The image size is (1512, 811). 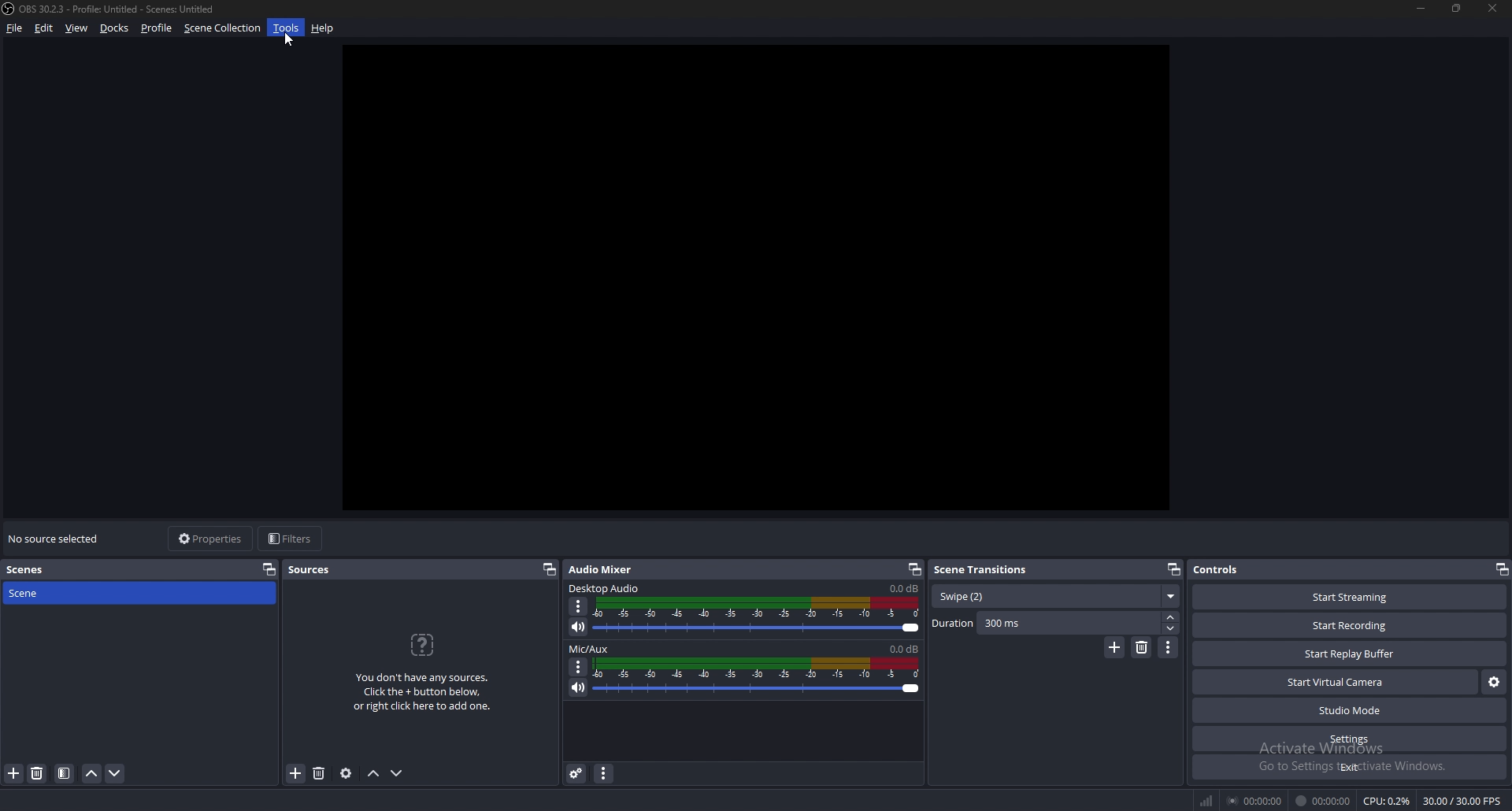 What do you see at coordinates (319, 774) in the screenshot?
I see `remove source` at bounding box center [319, 774].